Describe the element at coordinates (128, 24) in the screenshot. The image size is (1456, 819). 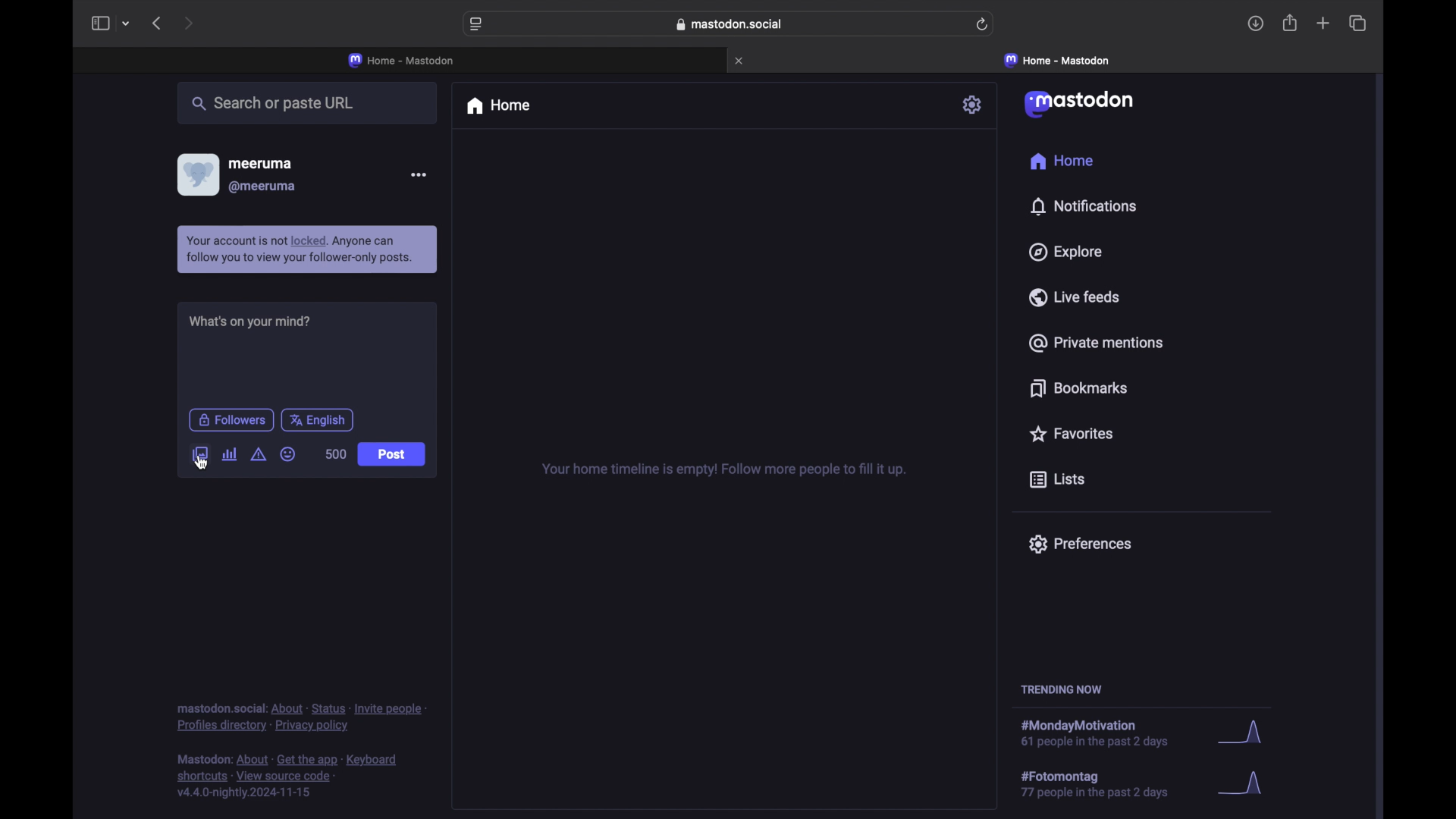
I see `tab group picker` at that location.